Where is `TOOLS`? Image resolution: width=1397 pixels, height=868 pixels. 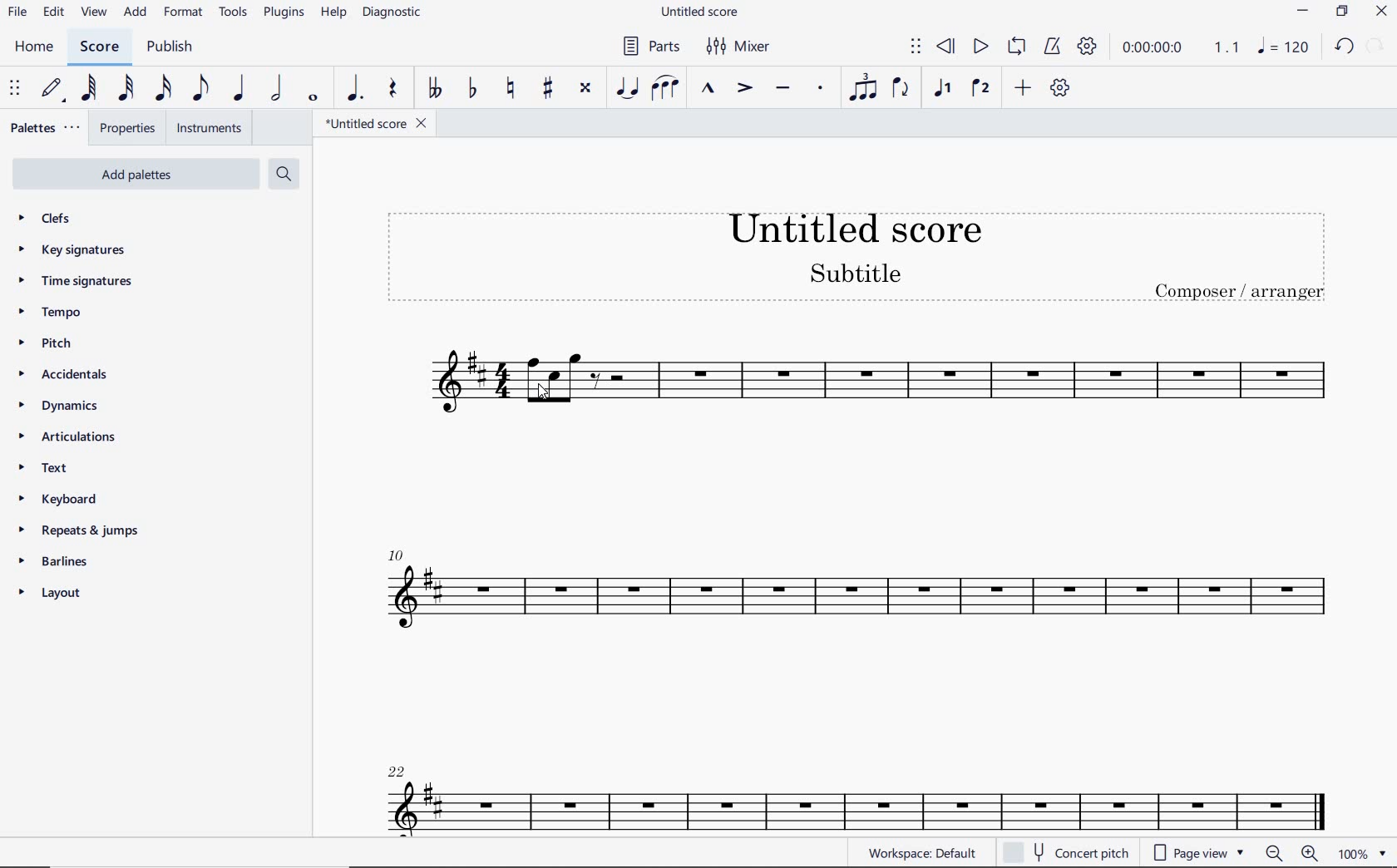 TOOLS is located at coordinates (233, 12).